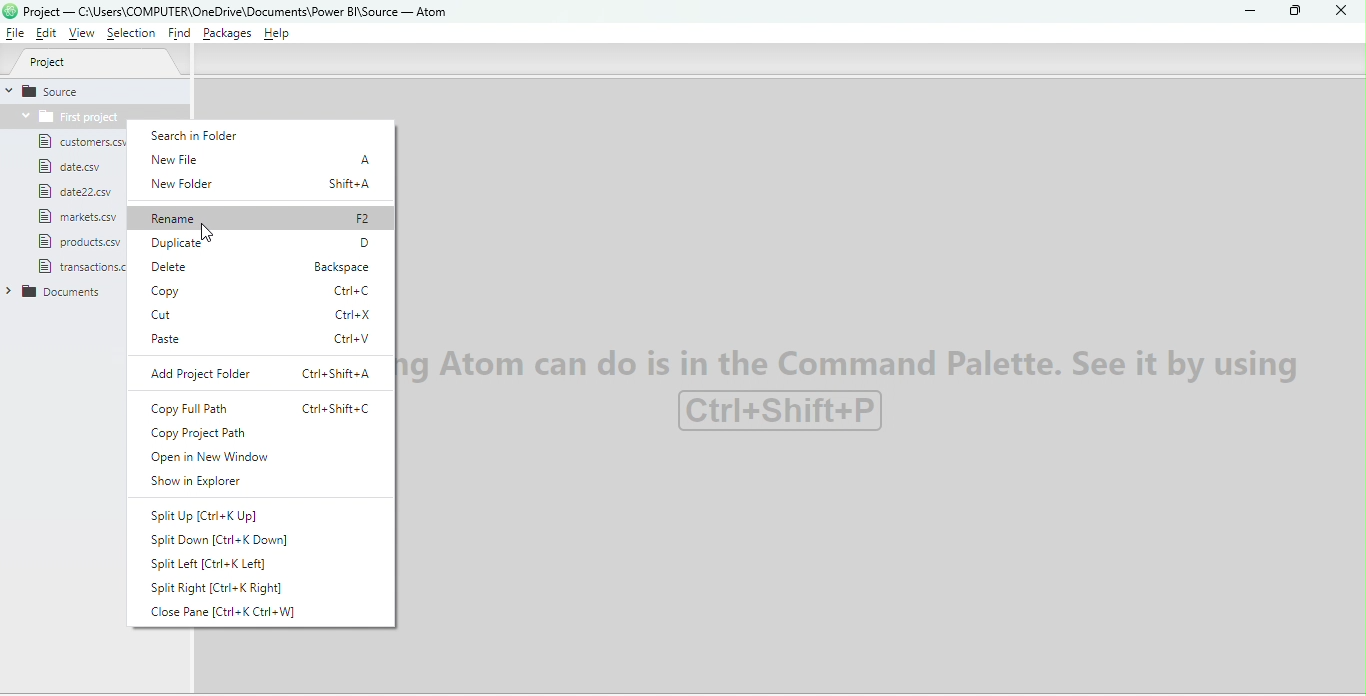 The image size is (1366, 696). Describe the element at coordinates (264, 158) in the screenshot. I see `New file` at that location.